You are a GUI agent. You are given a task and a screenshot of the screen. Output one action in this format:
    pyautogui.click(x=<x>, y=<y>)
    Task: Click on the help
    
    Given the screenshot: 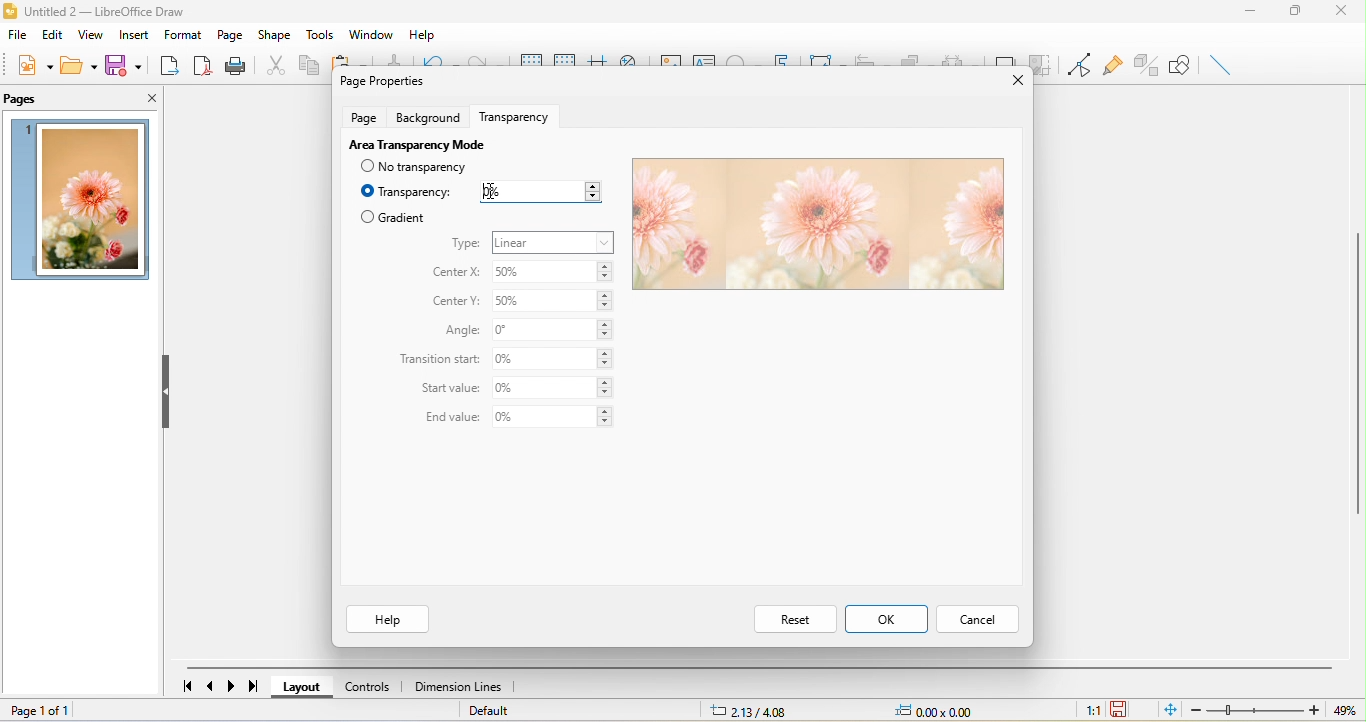 What is the action you would take?
    pyautogui.click(x=386, y=619)
    